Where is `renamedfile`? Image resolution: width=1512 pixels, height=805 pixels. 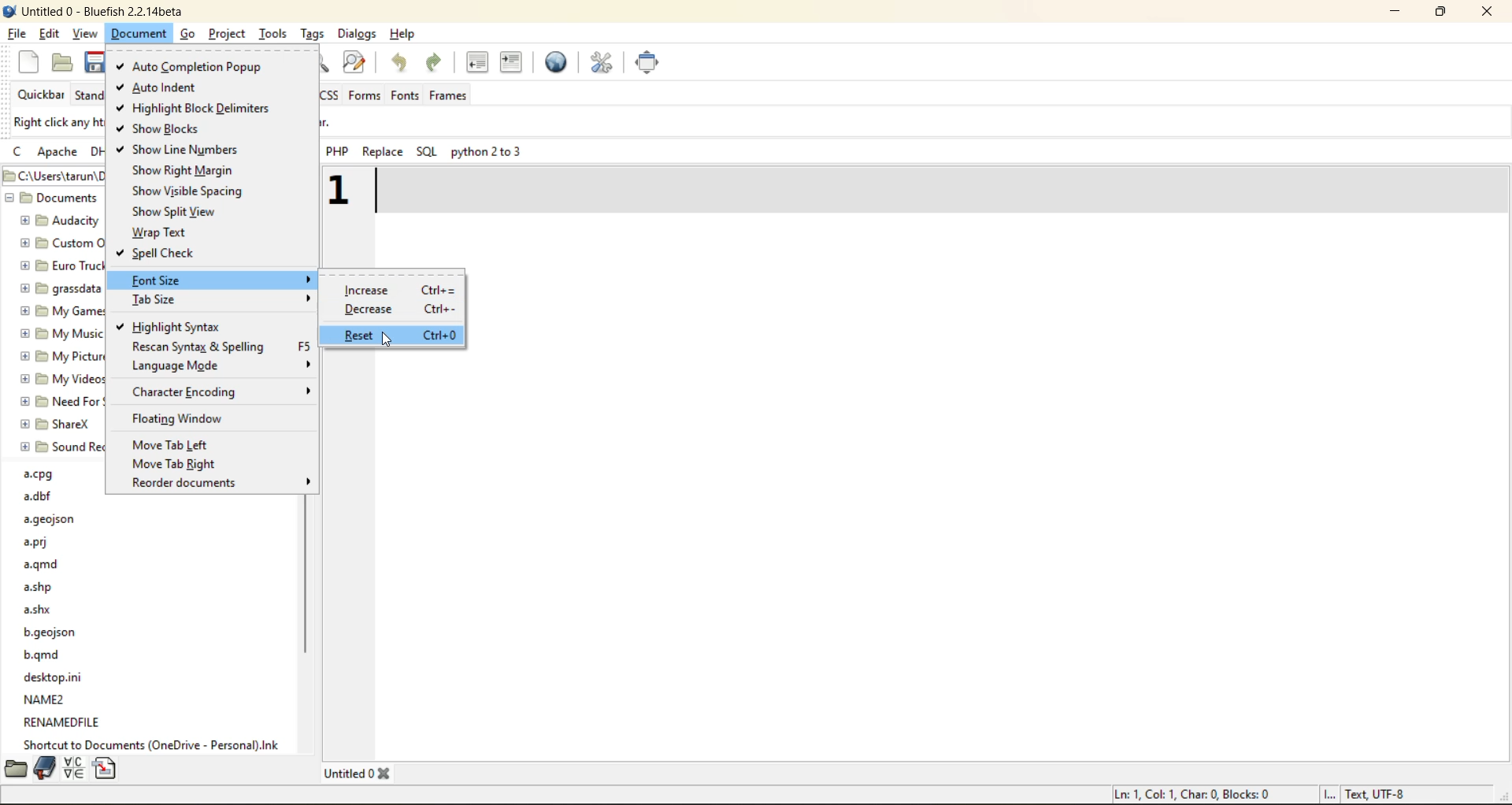 renamedfile is located at coordinates (64, 721).